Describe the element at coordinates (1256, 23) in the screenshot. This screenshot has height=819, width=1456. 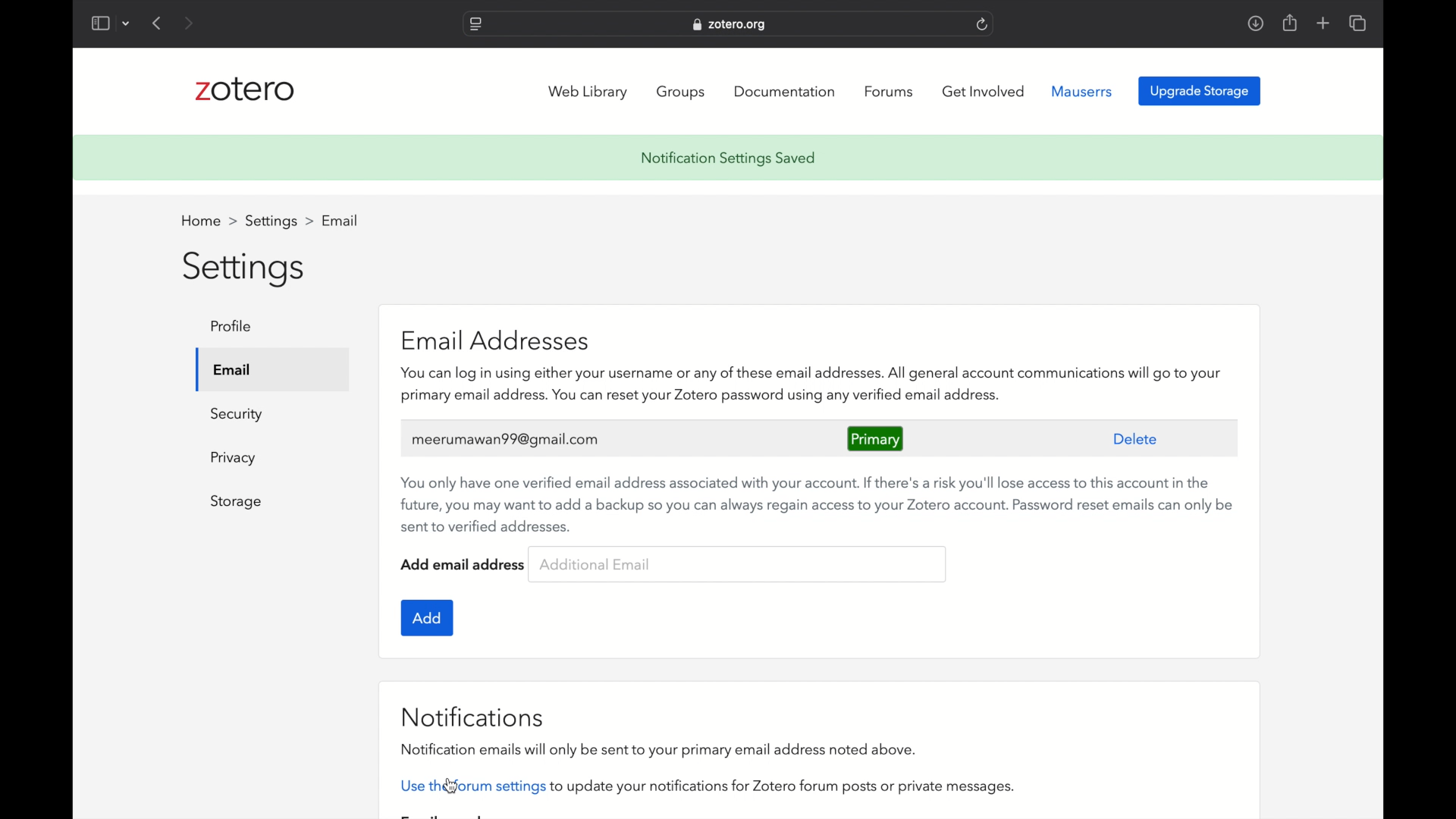
I see `downloads` at that location.